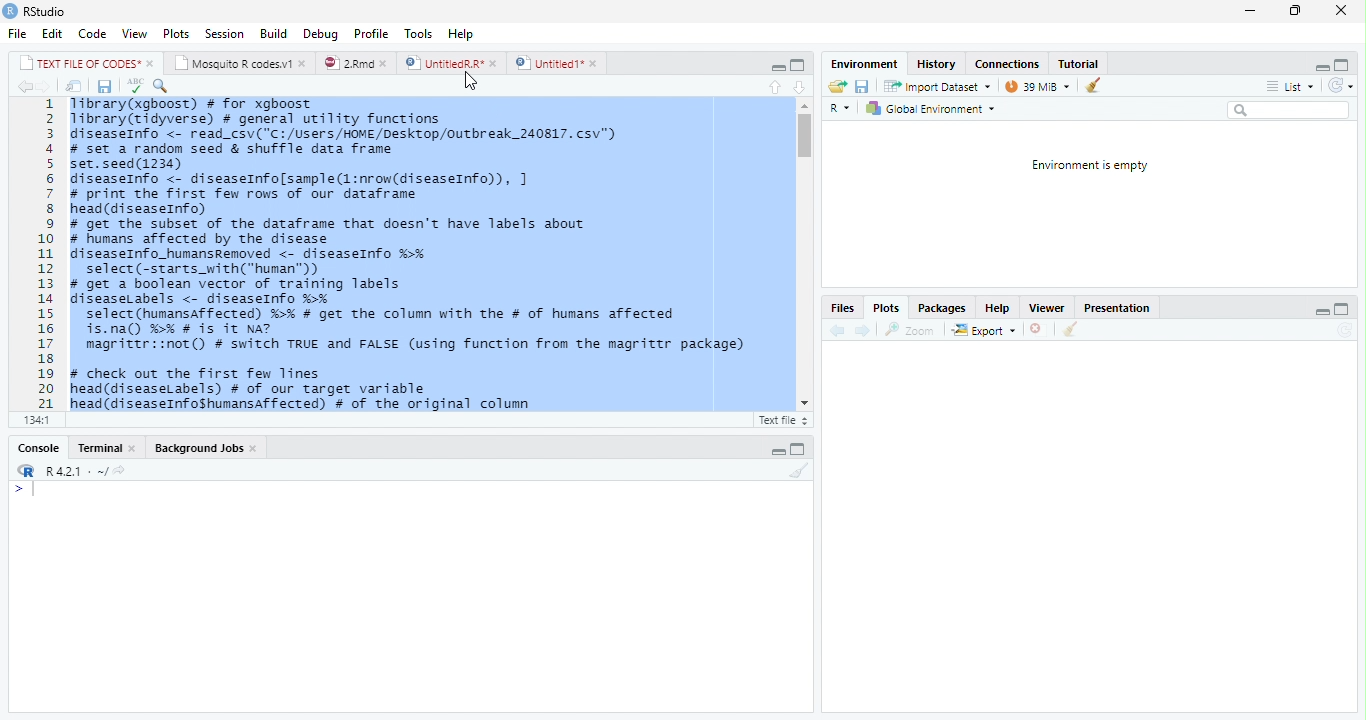  I want to click on Maximize, so click(1345, 63).